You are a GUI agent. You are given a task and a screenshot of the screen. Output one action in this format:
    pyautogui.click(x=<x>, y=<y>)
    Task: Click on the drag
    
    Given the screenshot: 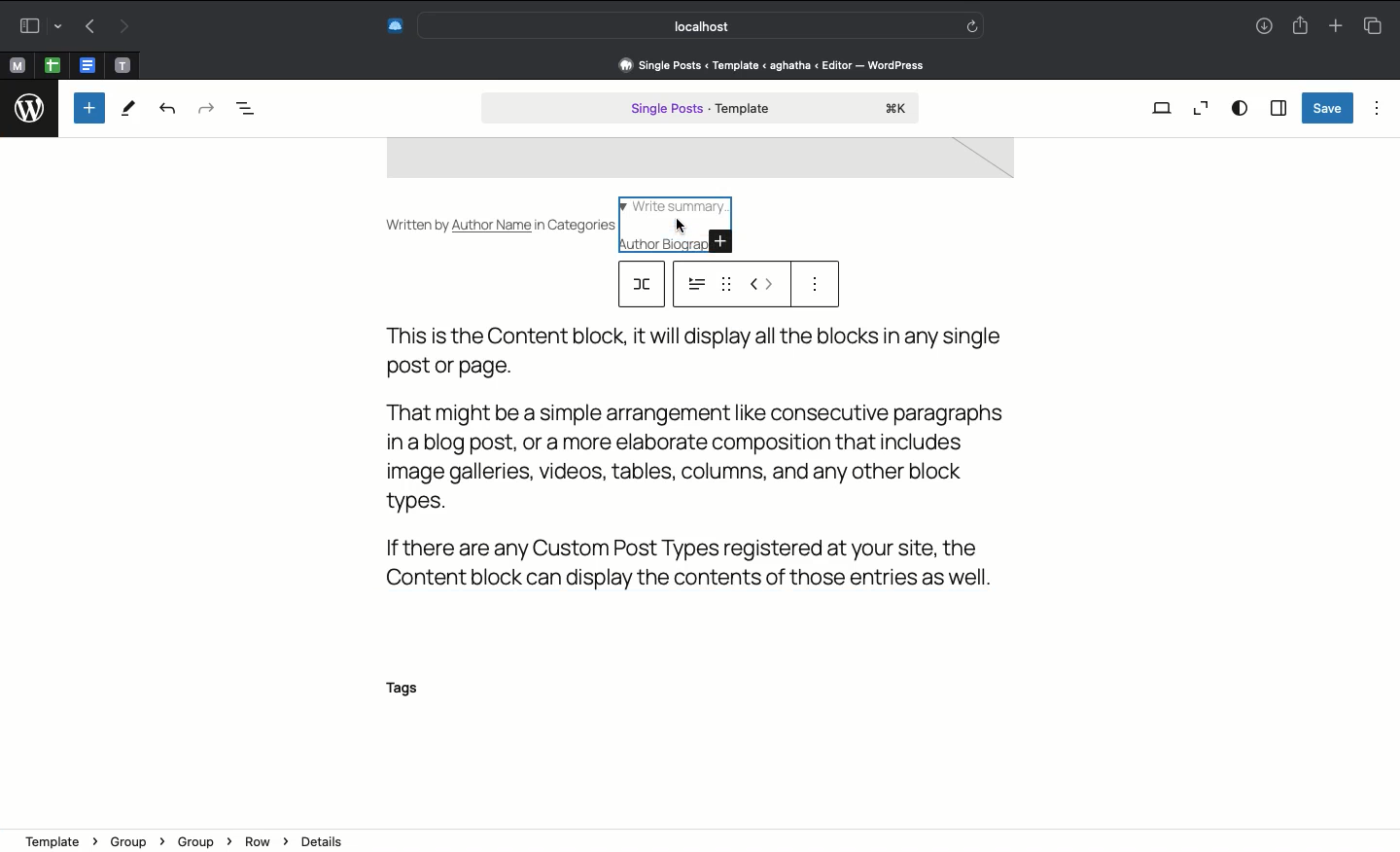 What is the action you would take?
    pyautogui.click(x=723, y=284)
    